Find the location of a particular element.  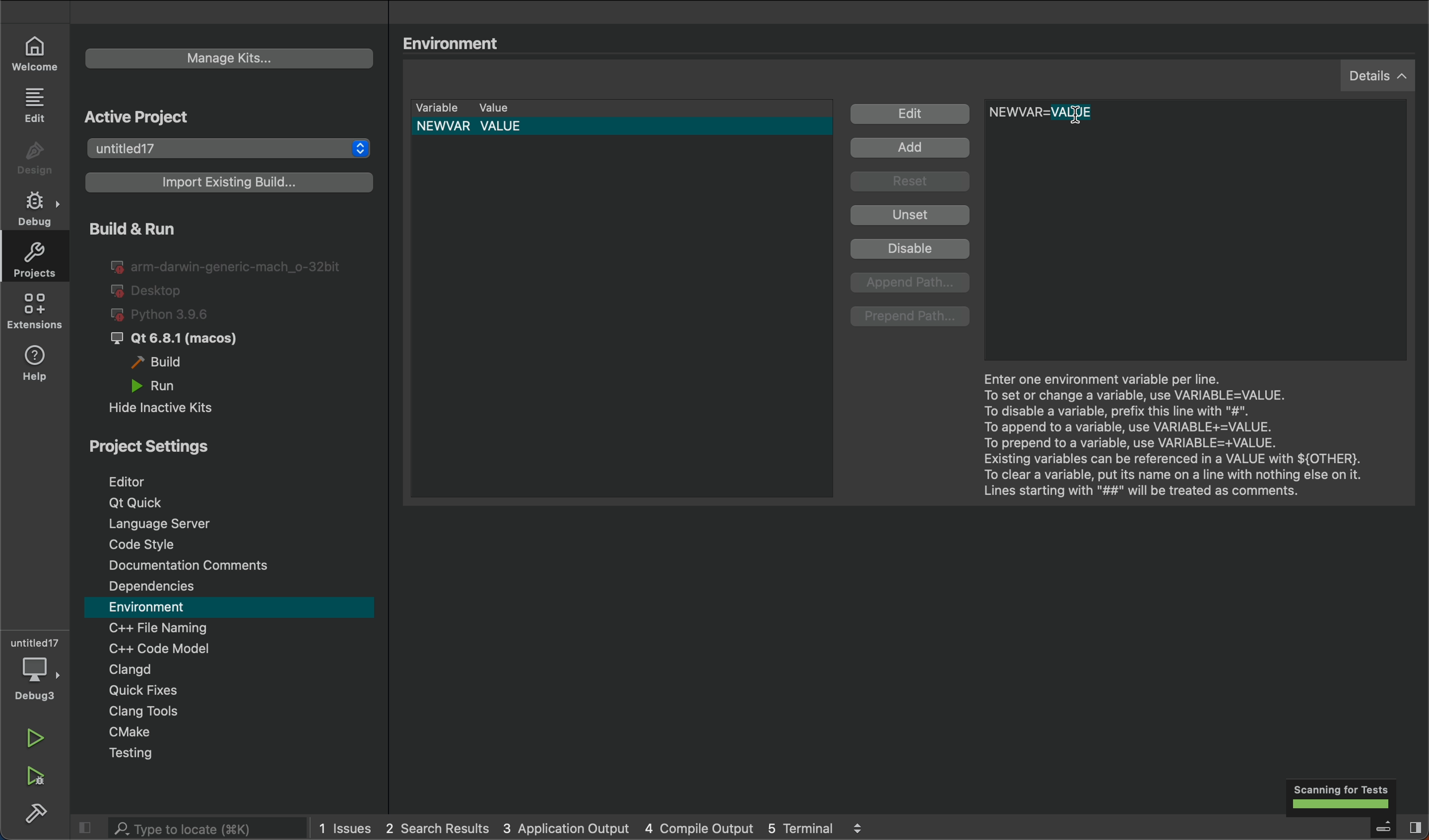

issues is located at coordinates (346, 828).